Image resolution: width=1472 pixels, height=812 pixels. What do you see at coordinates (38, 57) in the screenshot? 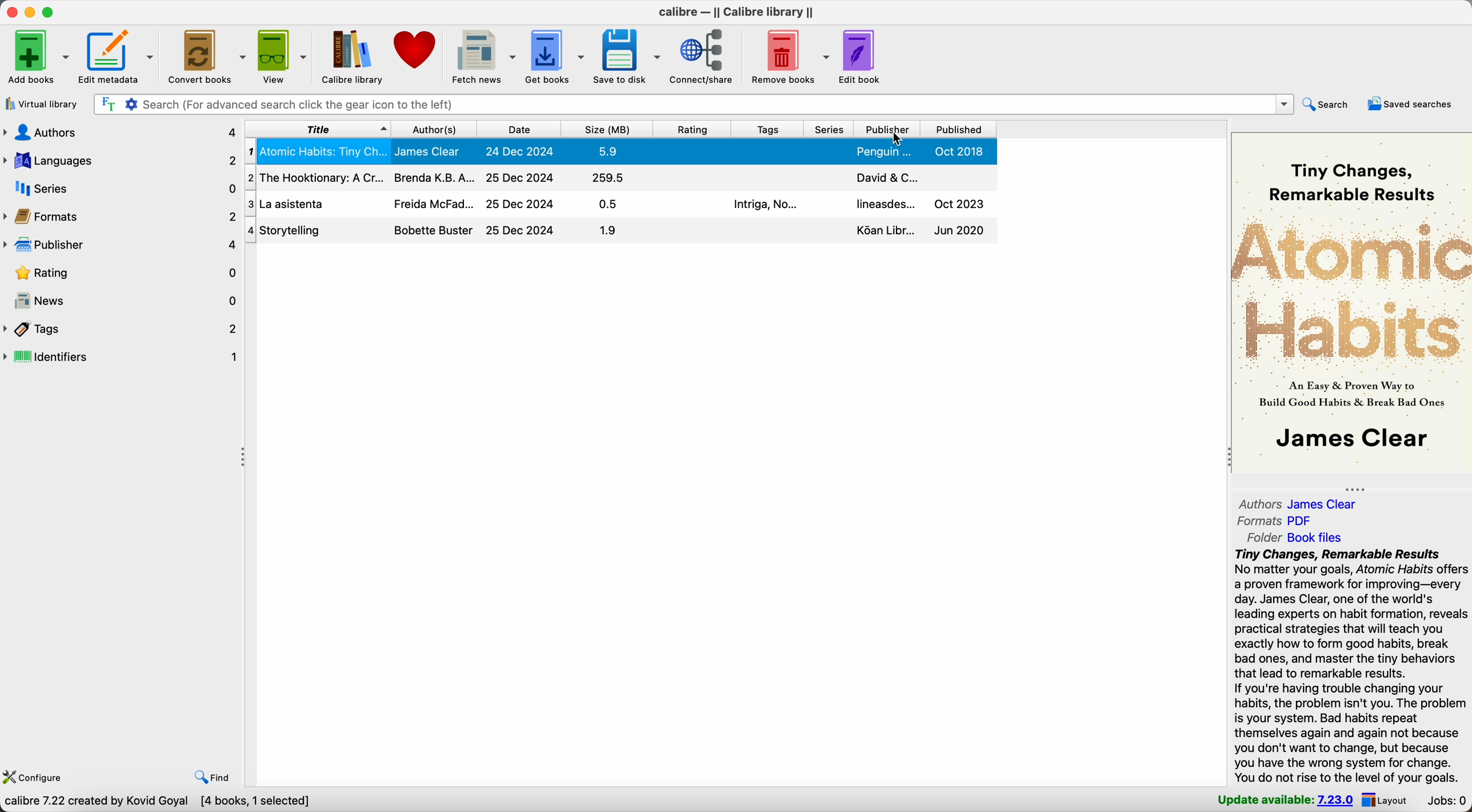
I see `add books` at bounding box center [38, 57].